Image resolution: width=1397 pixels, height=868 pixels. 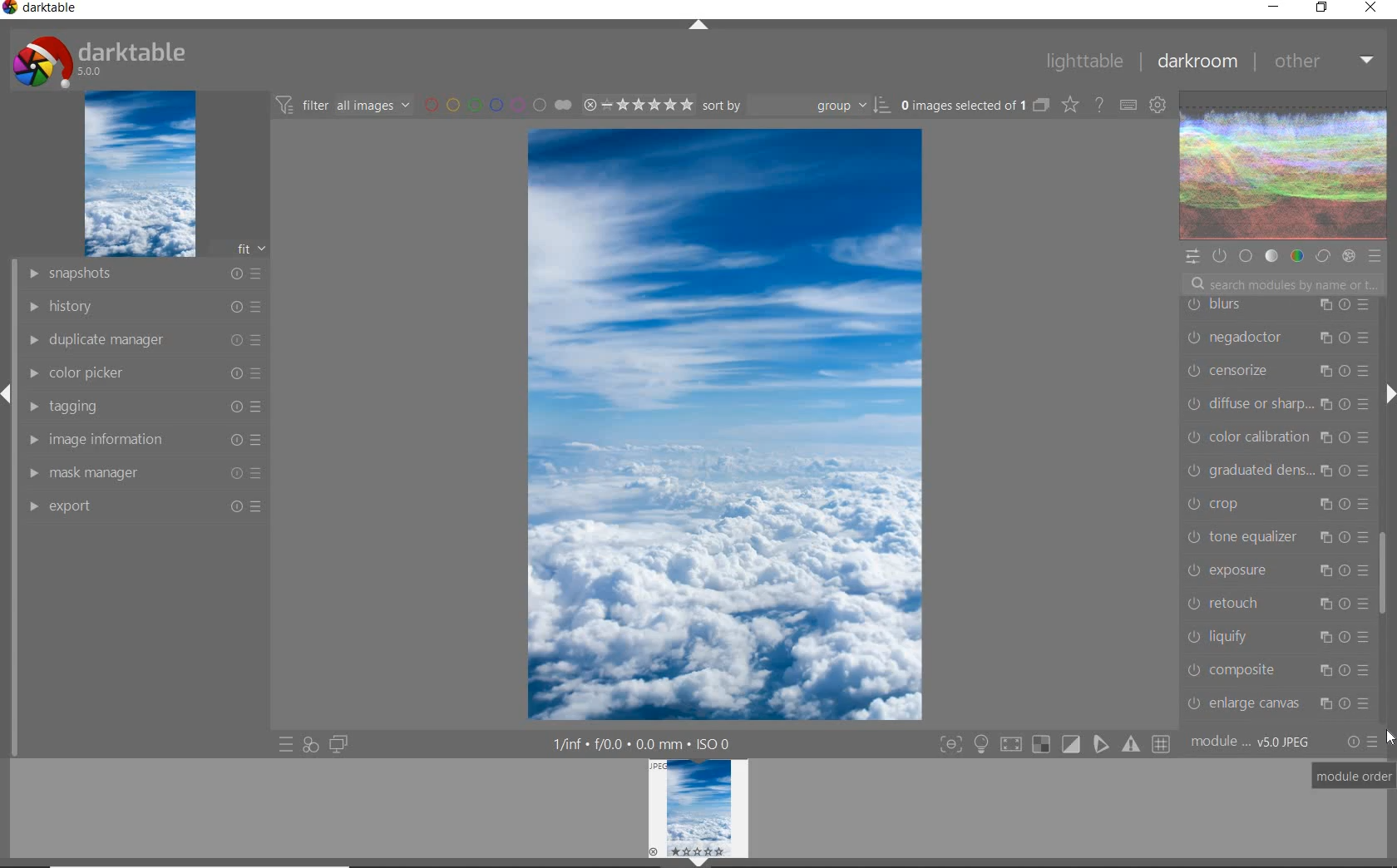 I want to click on Negadoctor, so click(x=1274, y=338).